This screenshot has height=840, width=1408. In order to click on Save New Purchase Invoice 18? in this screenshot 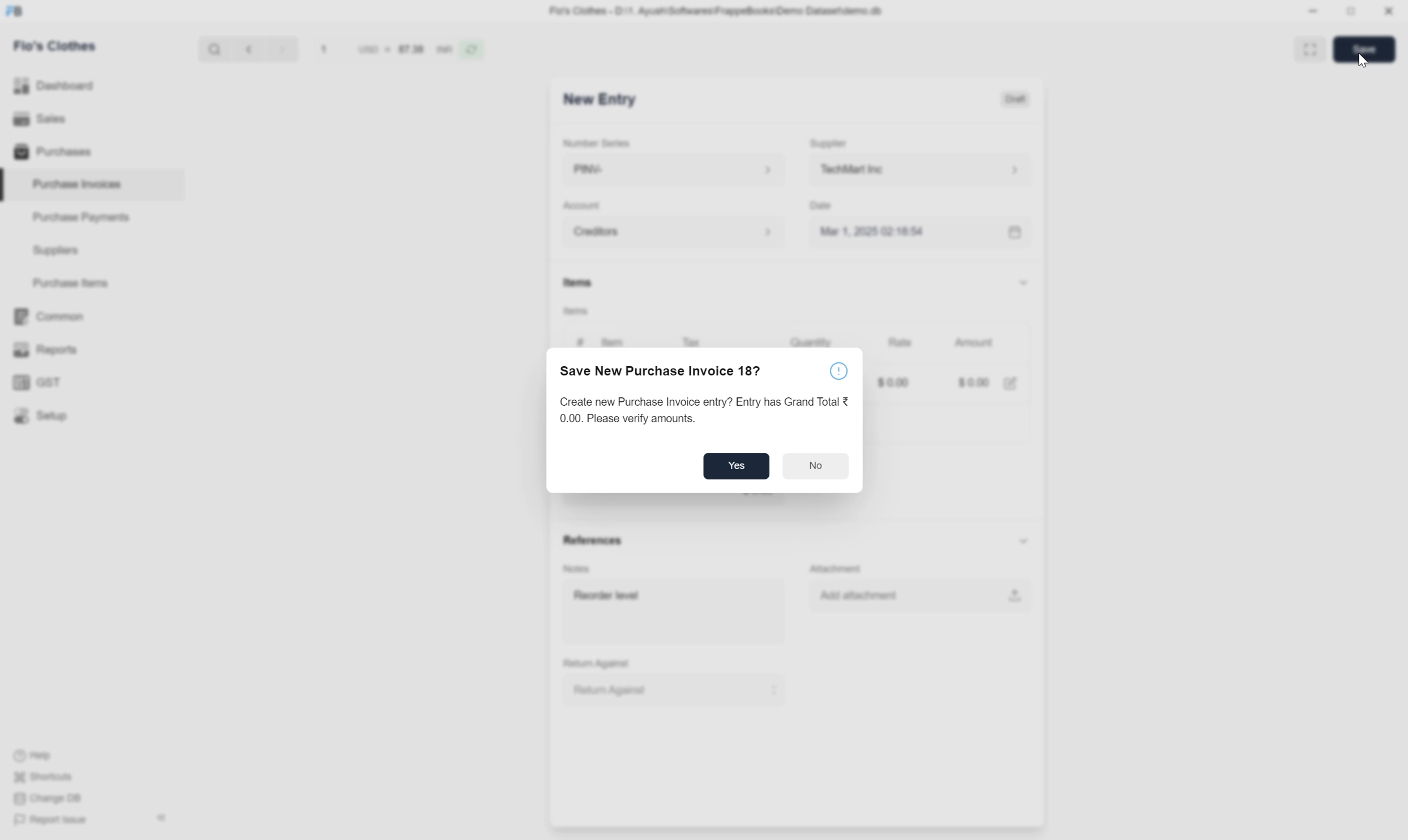, I will do `click(660, 372)`.